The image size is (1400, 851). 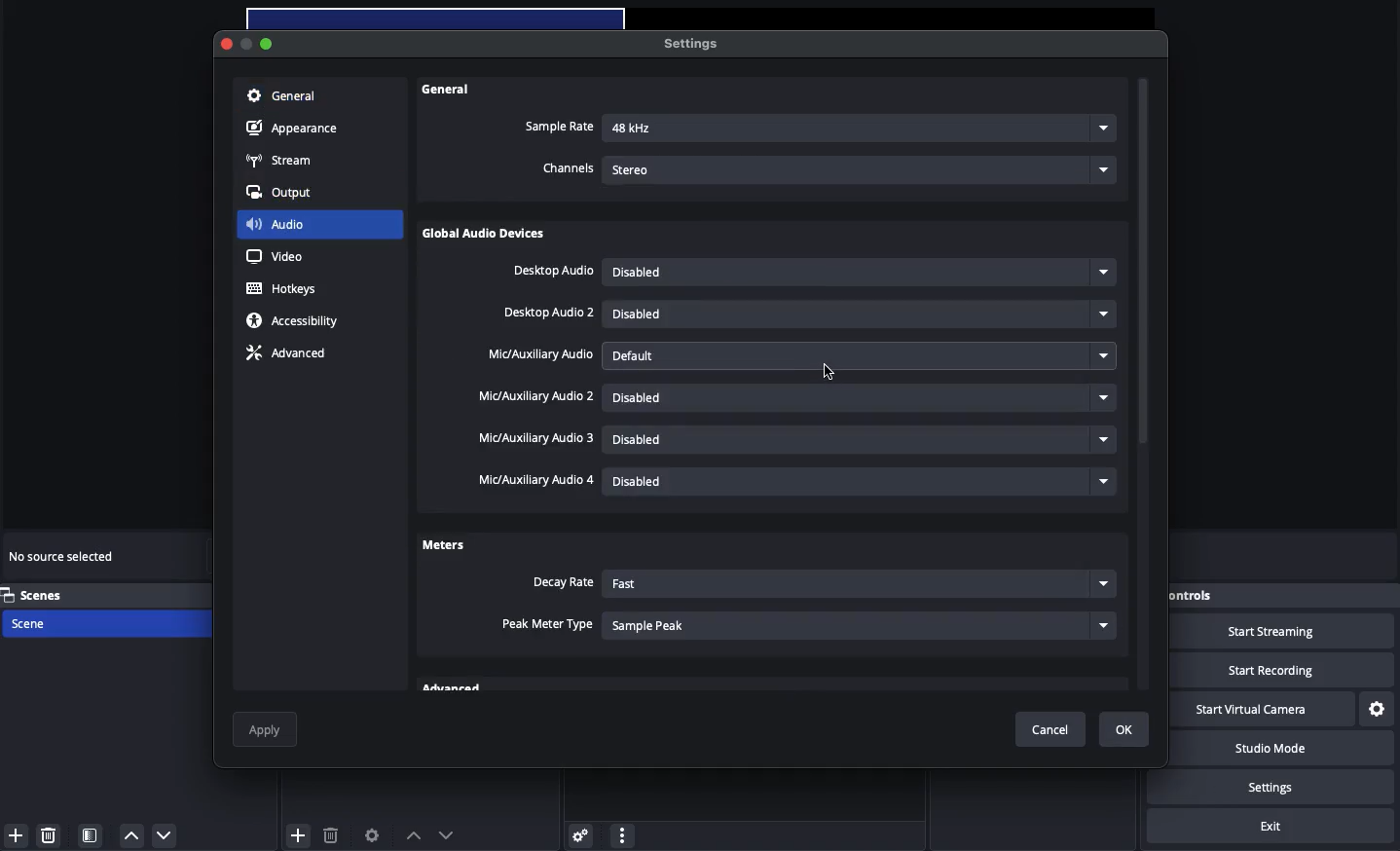 What do you see at coordinates (449, 90) in the screenshot?
I see `General` at bounding box center [449, 90].